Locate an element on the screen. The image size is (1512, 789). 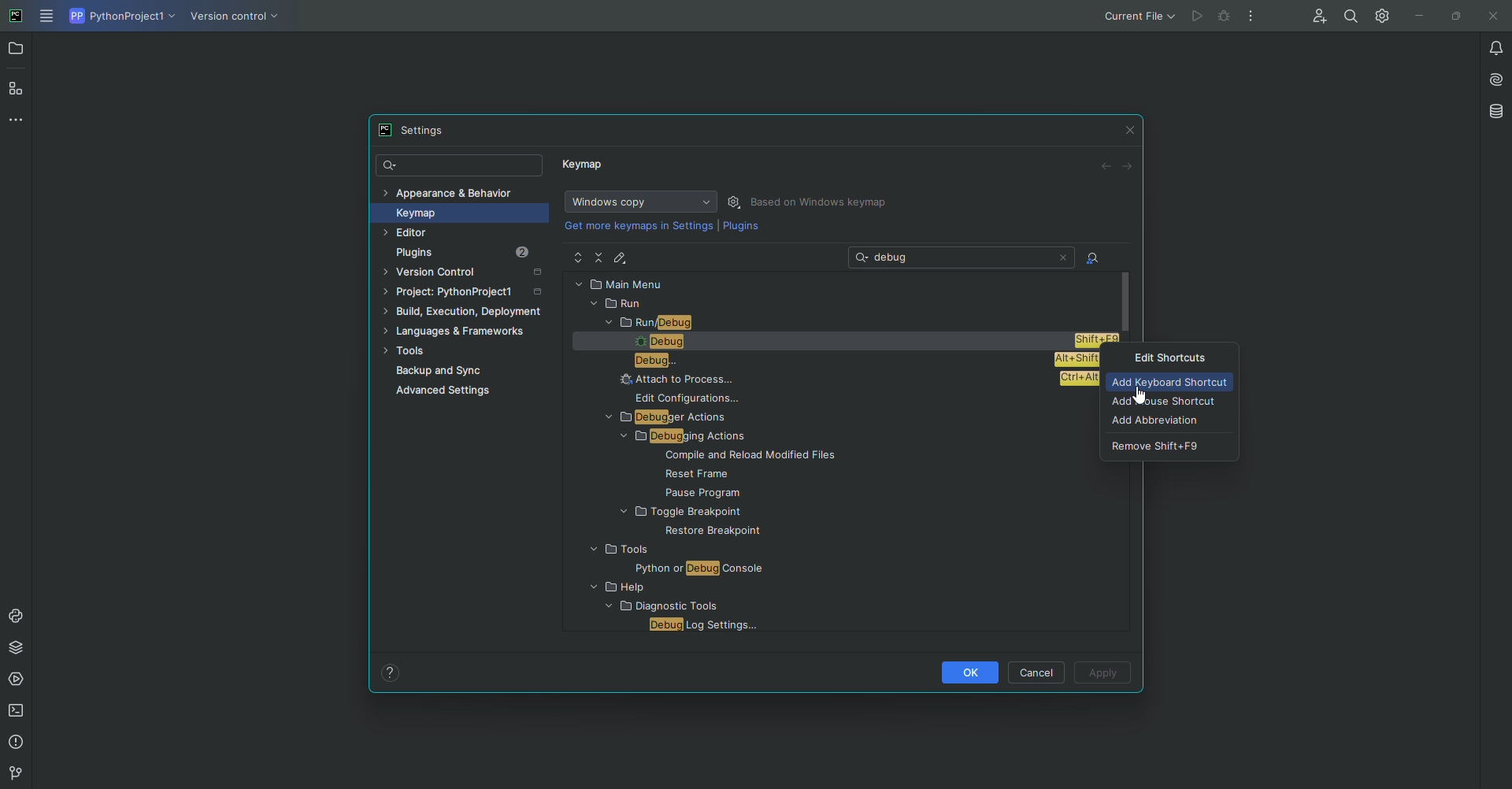
DEBUGGER ACTIONS is located at coordinates (687, 417).